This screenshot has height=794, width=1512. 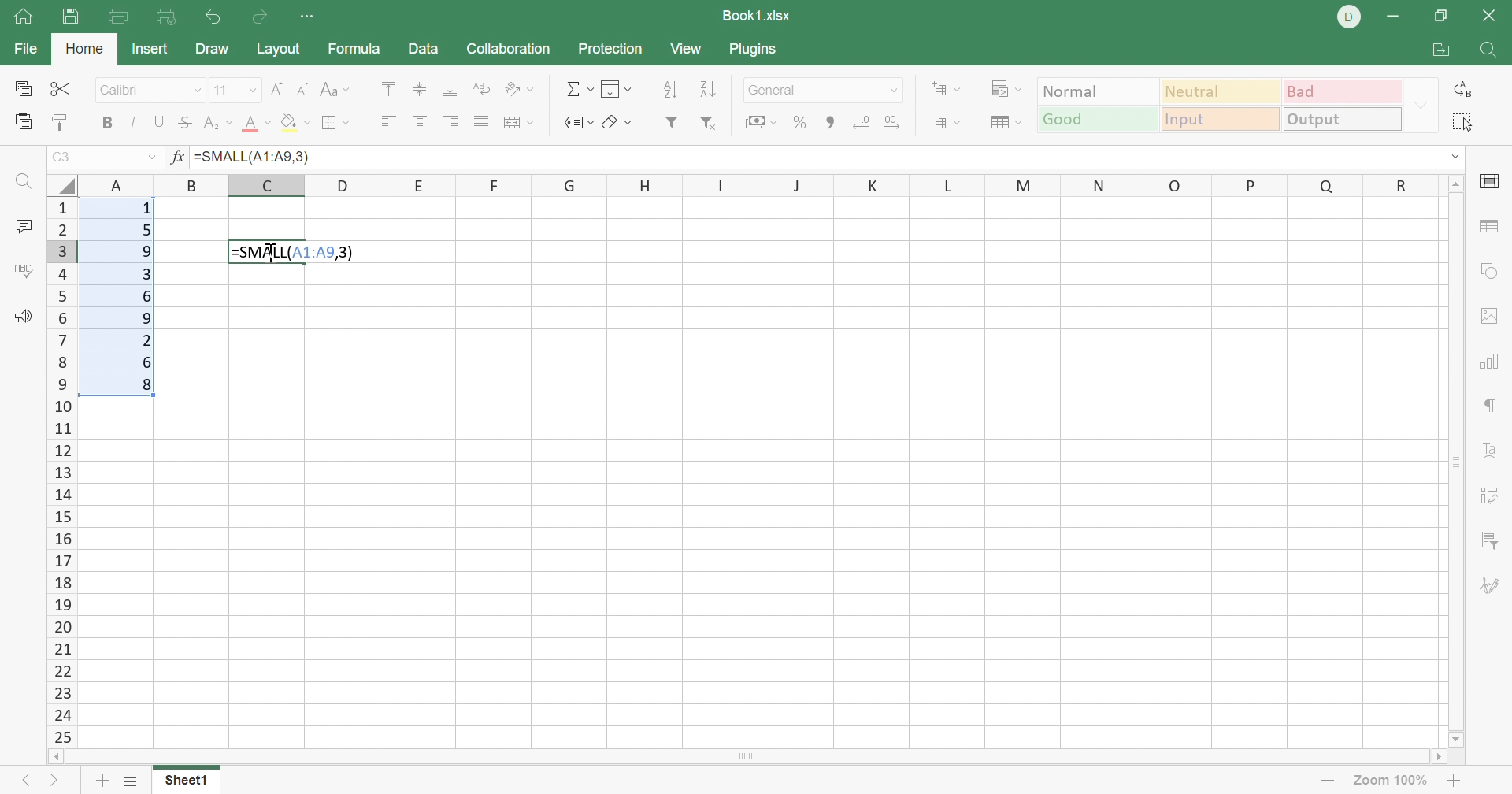 I want to click on Sort descending, so click(x=707, y=88).